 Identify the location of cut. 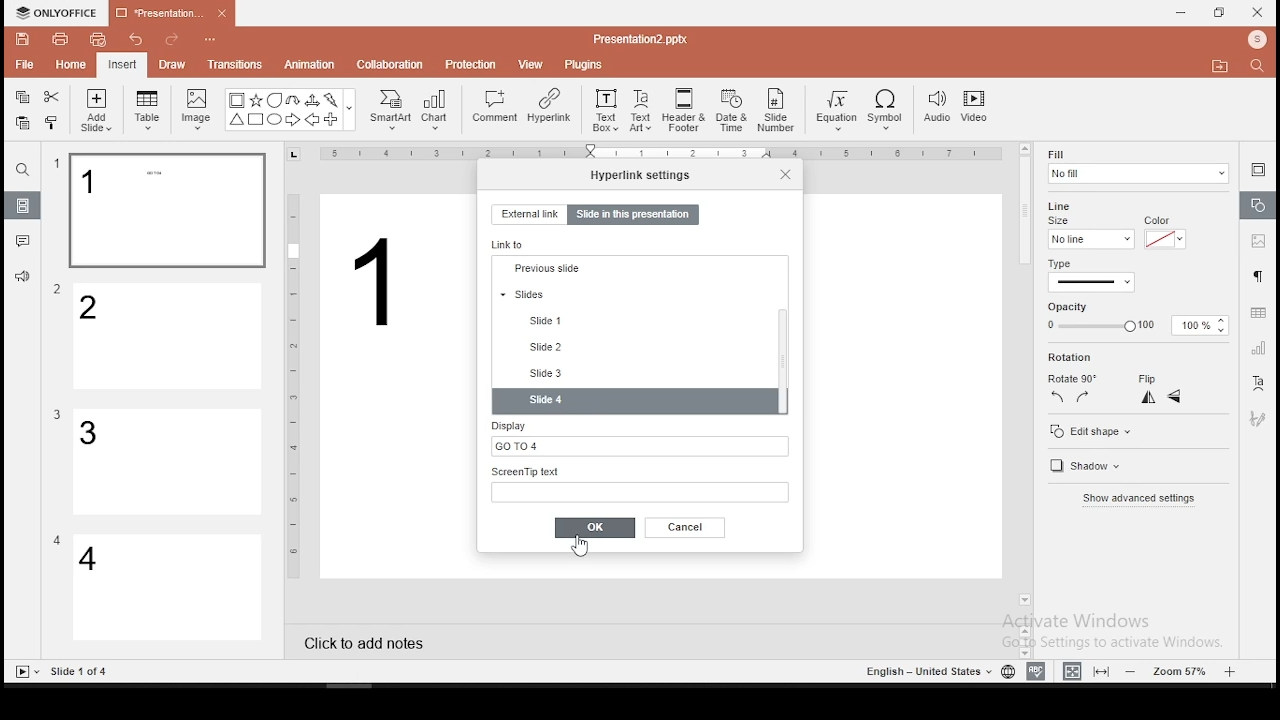
(52, 96).